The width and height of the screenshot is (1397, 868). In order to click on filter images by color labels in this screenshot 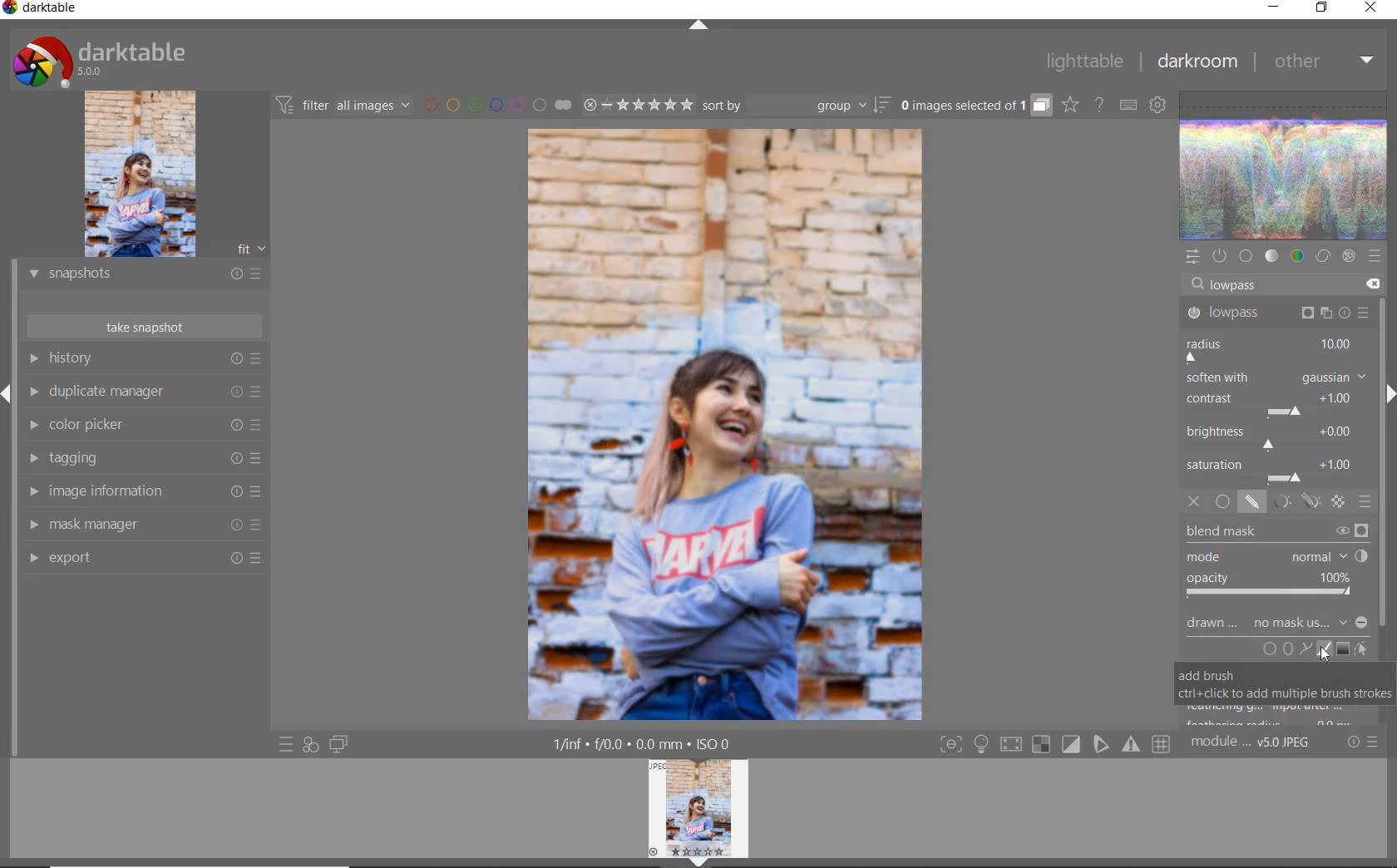, I will do `click(497, 106)`.